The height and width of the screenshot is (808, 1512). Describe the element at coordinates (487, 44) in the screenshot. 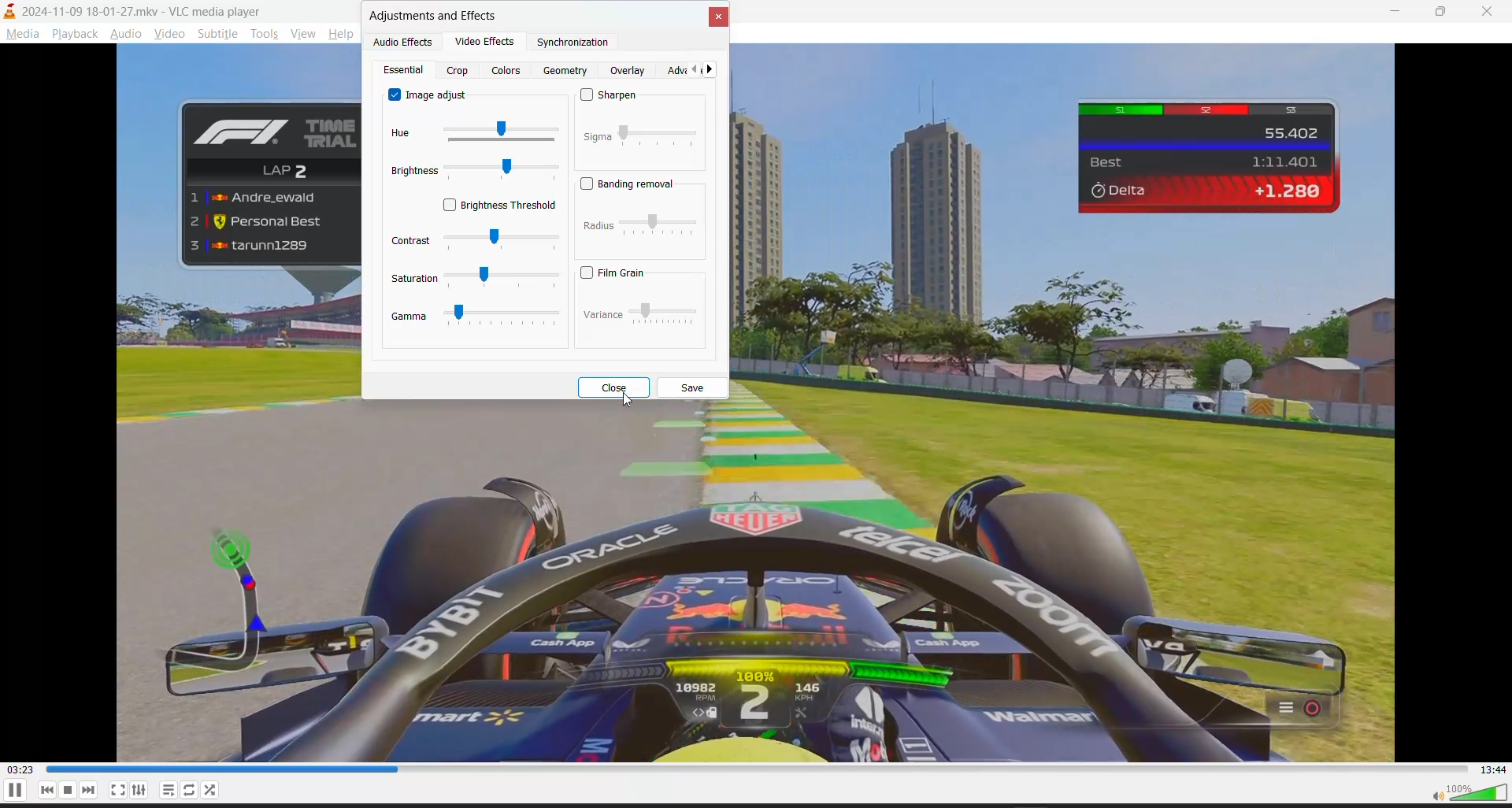

I see `video effects` at that location.